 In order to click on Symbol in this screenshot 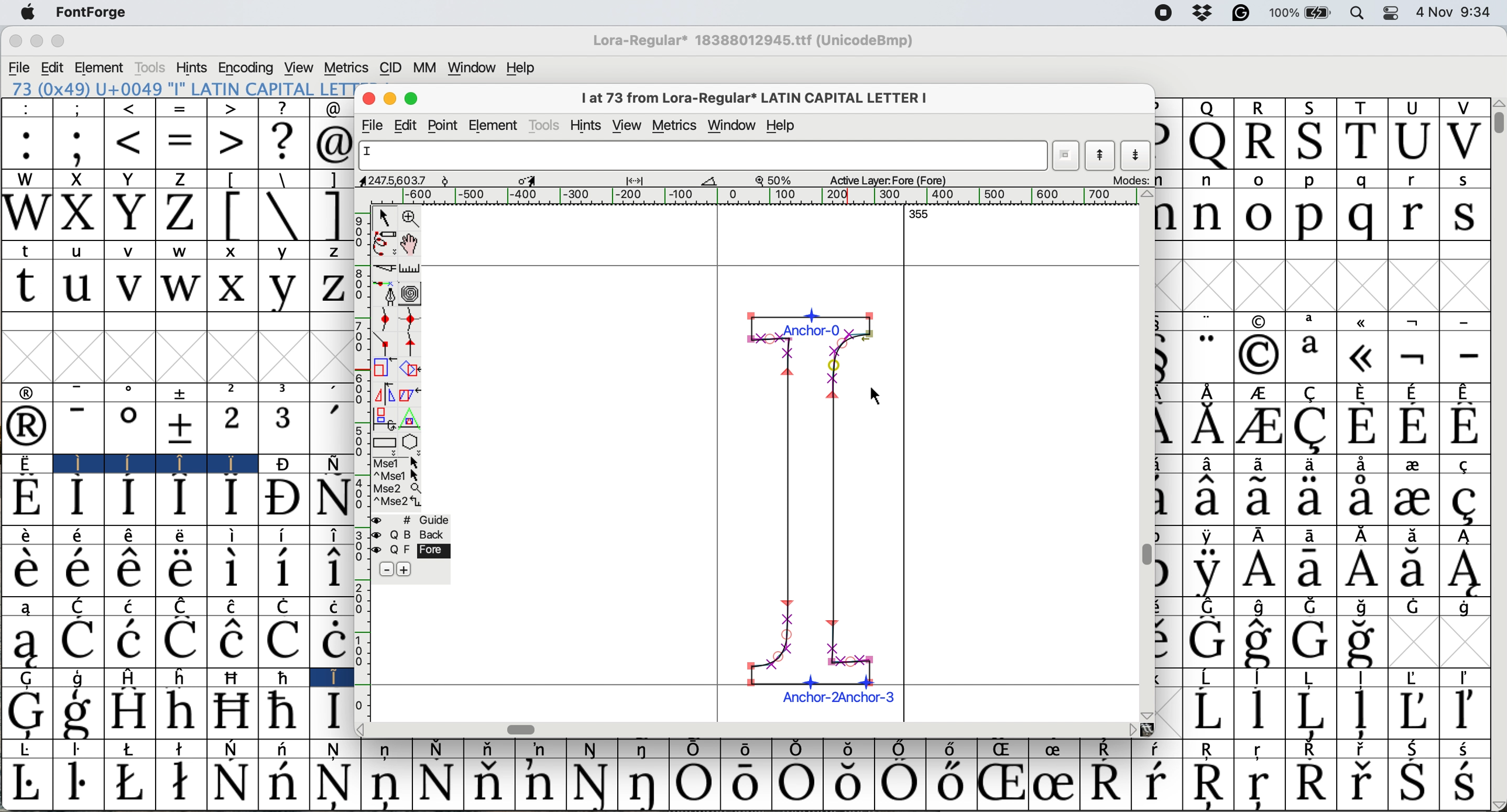, I will do `click(592, 784)`.